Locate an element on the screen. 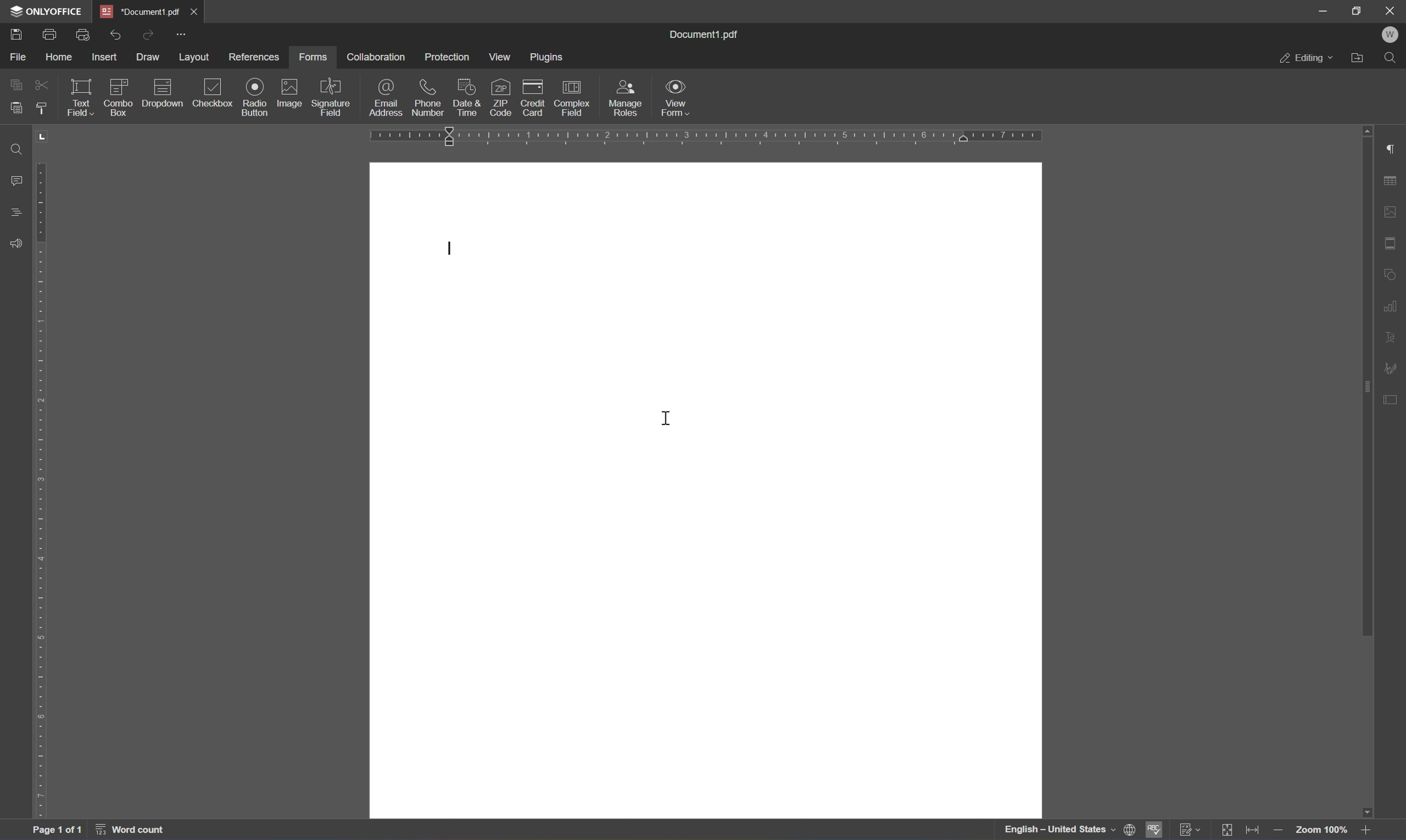 The width and height of the screenshot is (1406, 840). print is located at coordinates (49, 36).